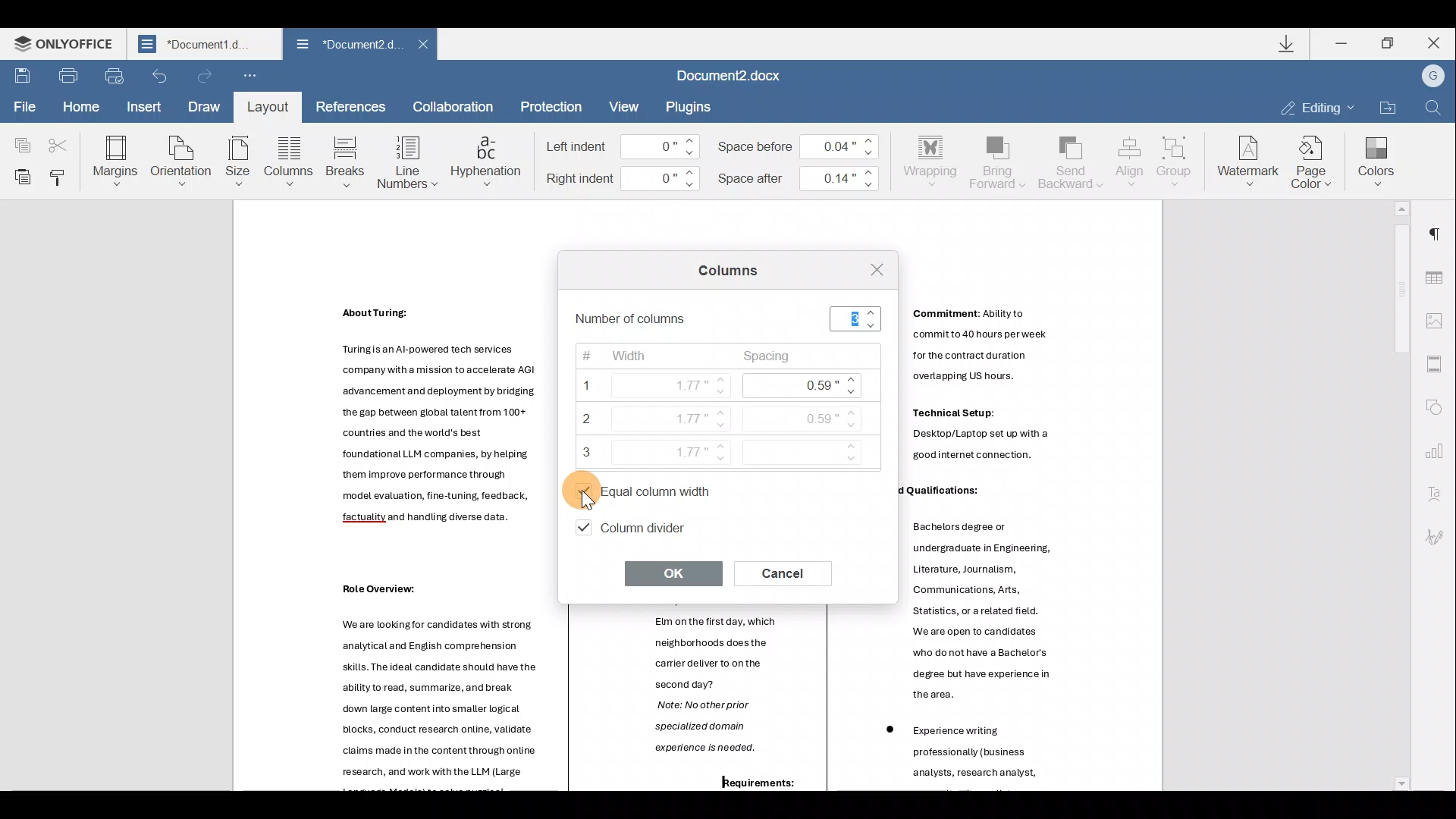 The height and width of the screenshot is (819, 1456). What do you see at coordinates (114, 159) in the screenshot?
I see `Margins` at bounding box center [114, 159].